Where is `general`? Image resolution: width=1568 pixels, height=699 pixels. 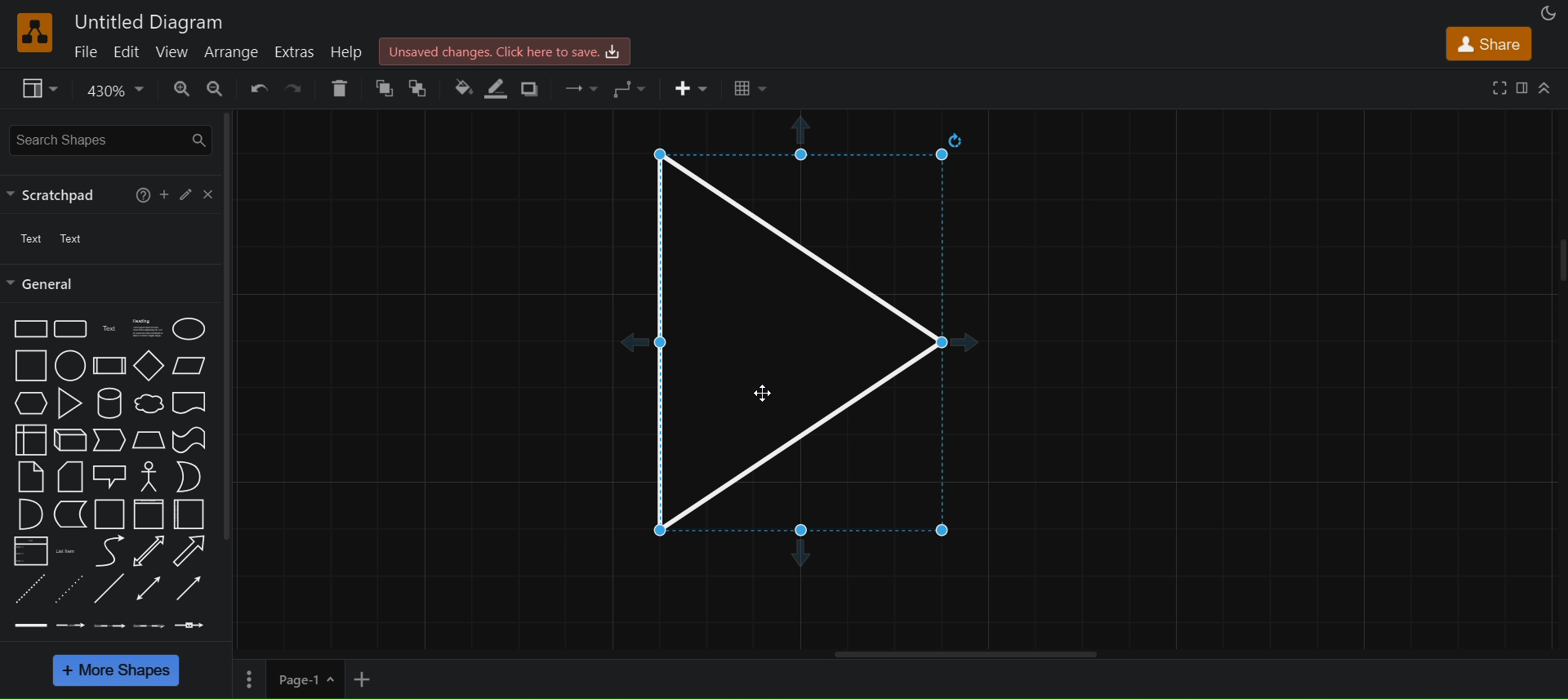
general is located at coordinates (45, 284).